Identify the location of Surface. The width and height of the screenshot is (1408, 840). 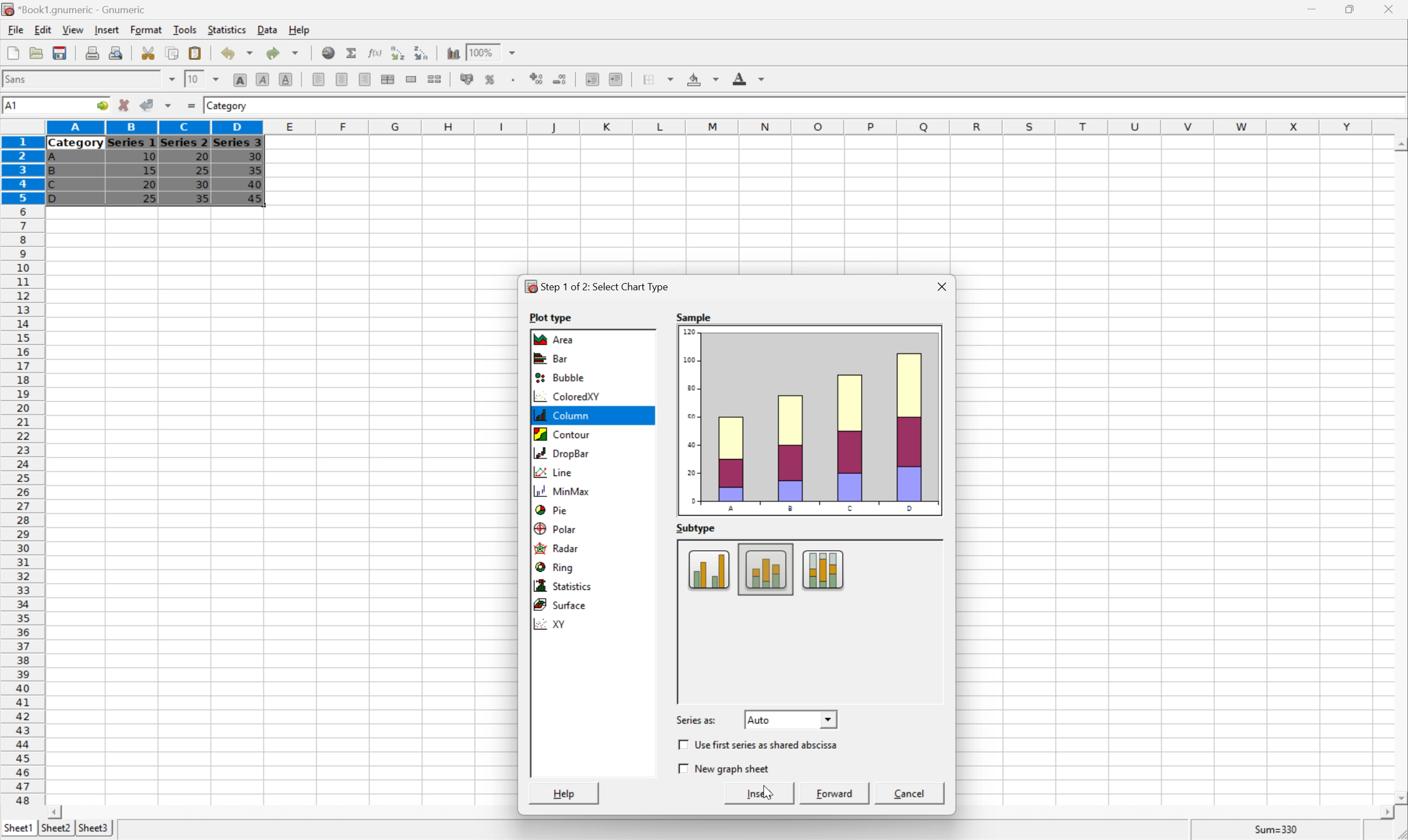
(560, 605).